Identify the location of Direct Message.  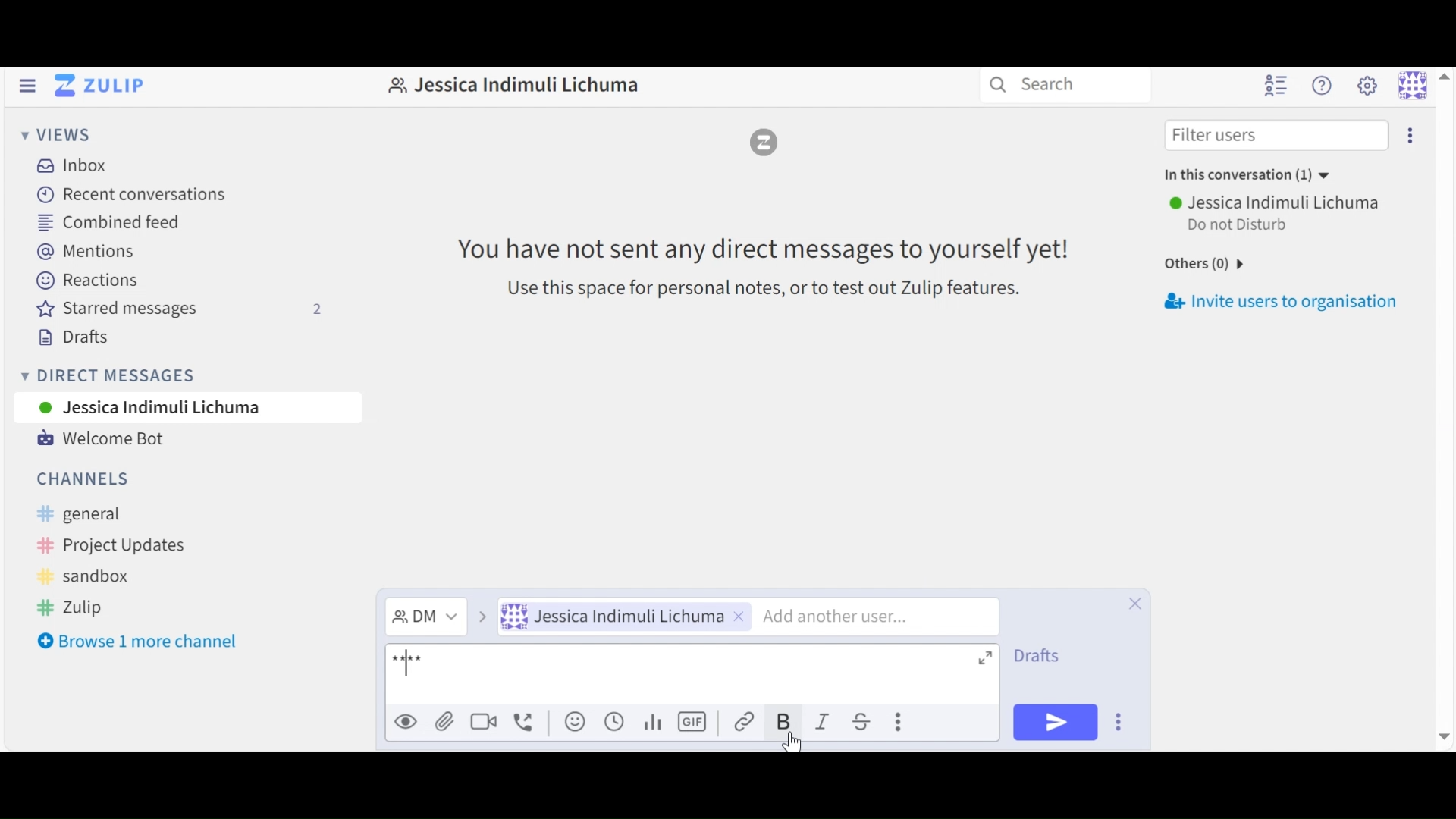
(438, 617).